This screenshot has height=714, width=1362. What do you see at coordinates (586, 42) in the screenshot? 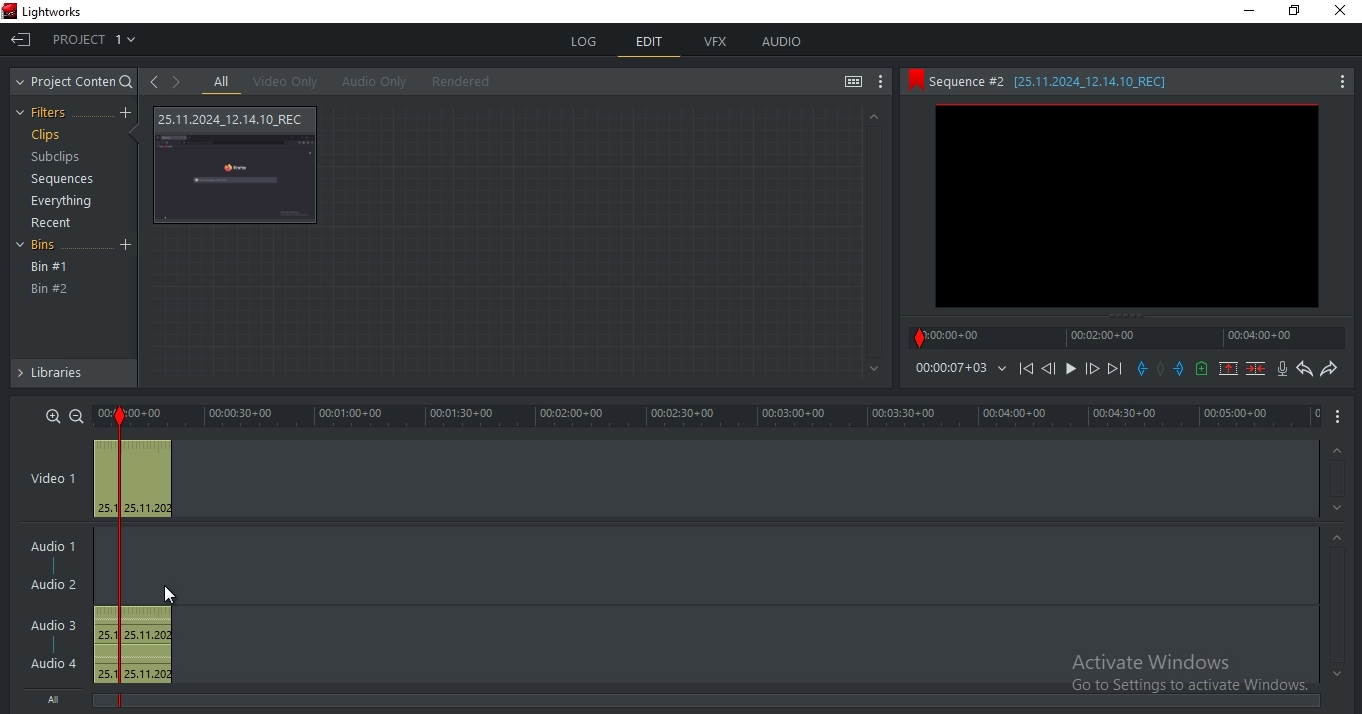
I see `log` at bounding box center [586, 42].